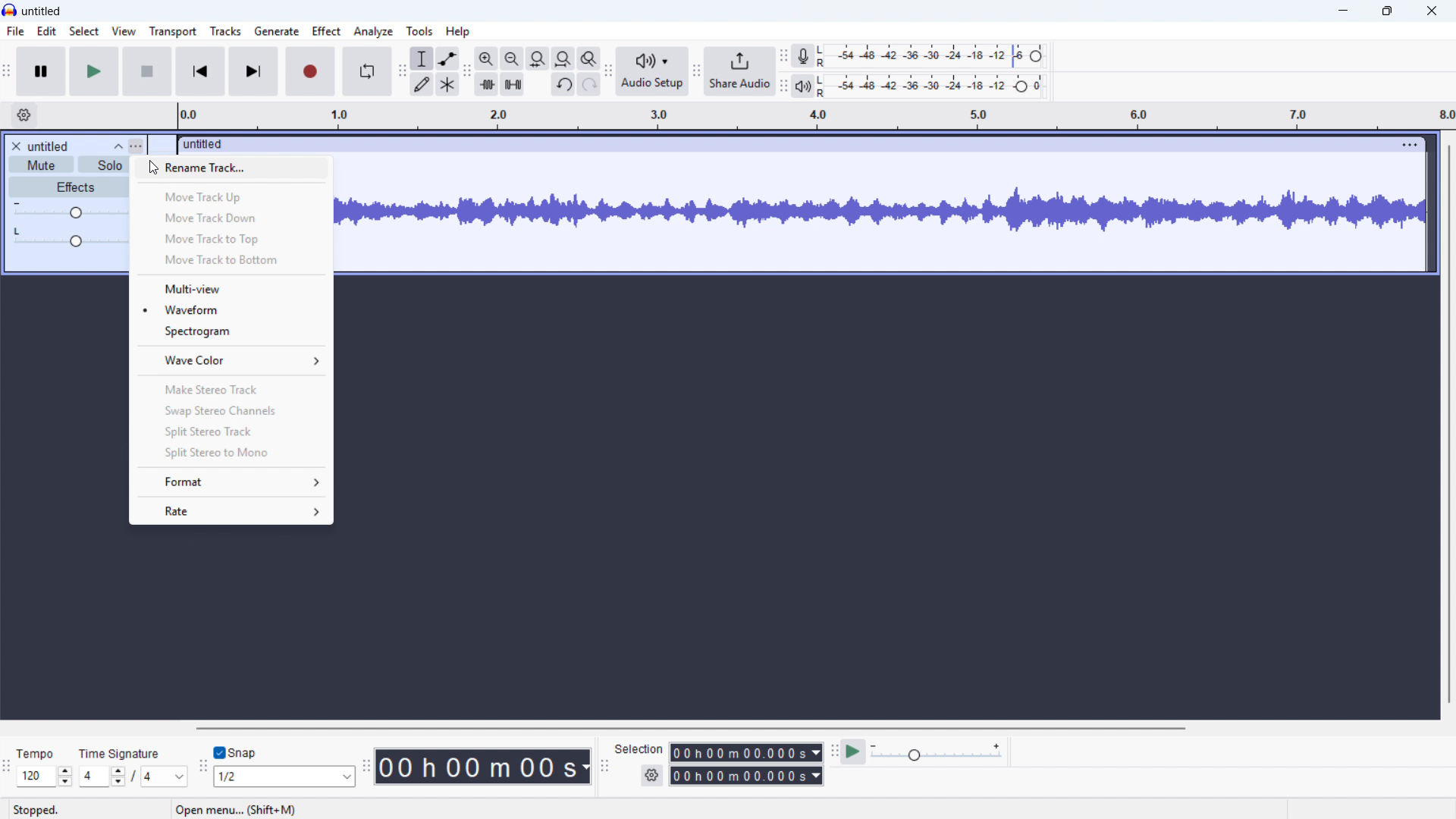 The image size is (1456, 819). I want to click on Zoom out , so click(512, 58).